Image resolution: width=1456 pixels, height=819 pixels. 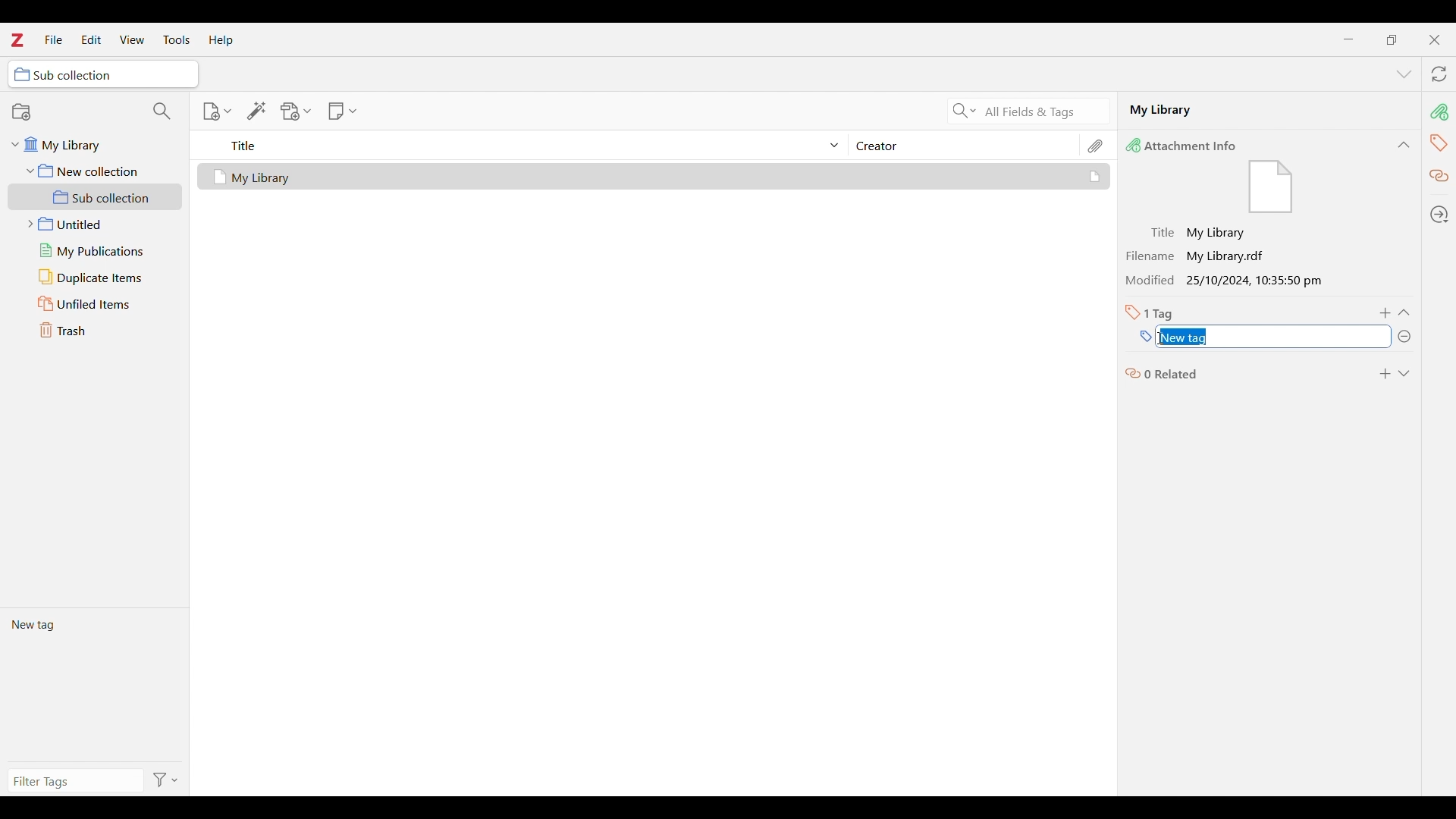 What do you see at coordinates (1386, 313) in the screenshot?
I see `Add` at bounding box center [1386, 313].